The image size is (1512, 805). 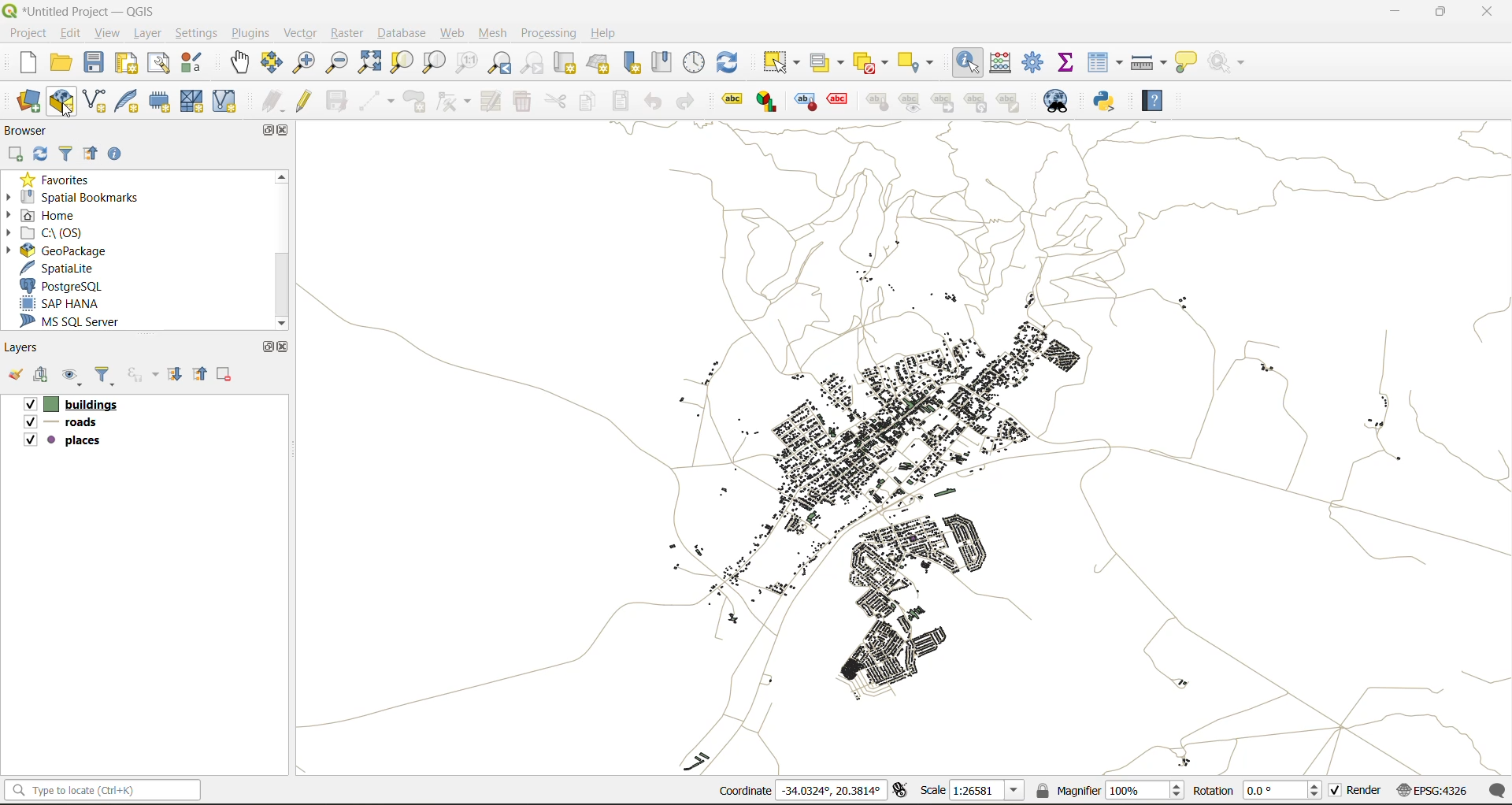 I want to click on select location, so click(x=920, y=63).